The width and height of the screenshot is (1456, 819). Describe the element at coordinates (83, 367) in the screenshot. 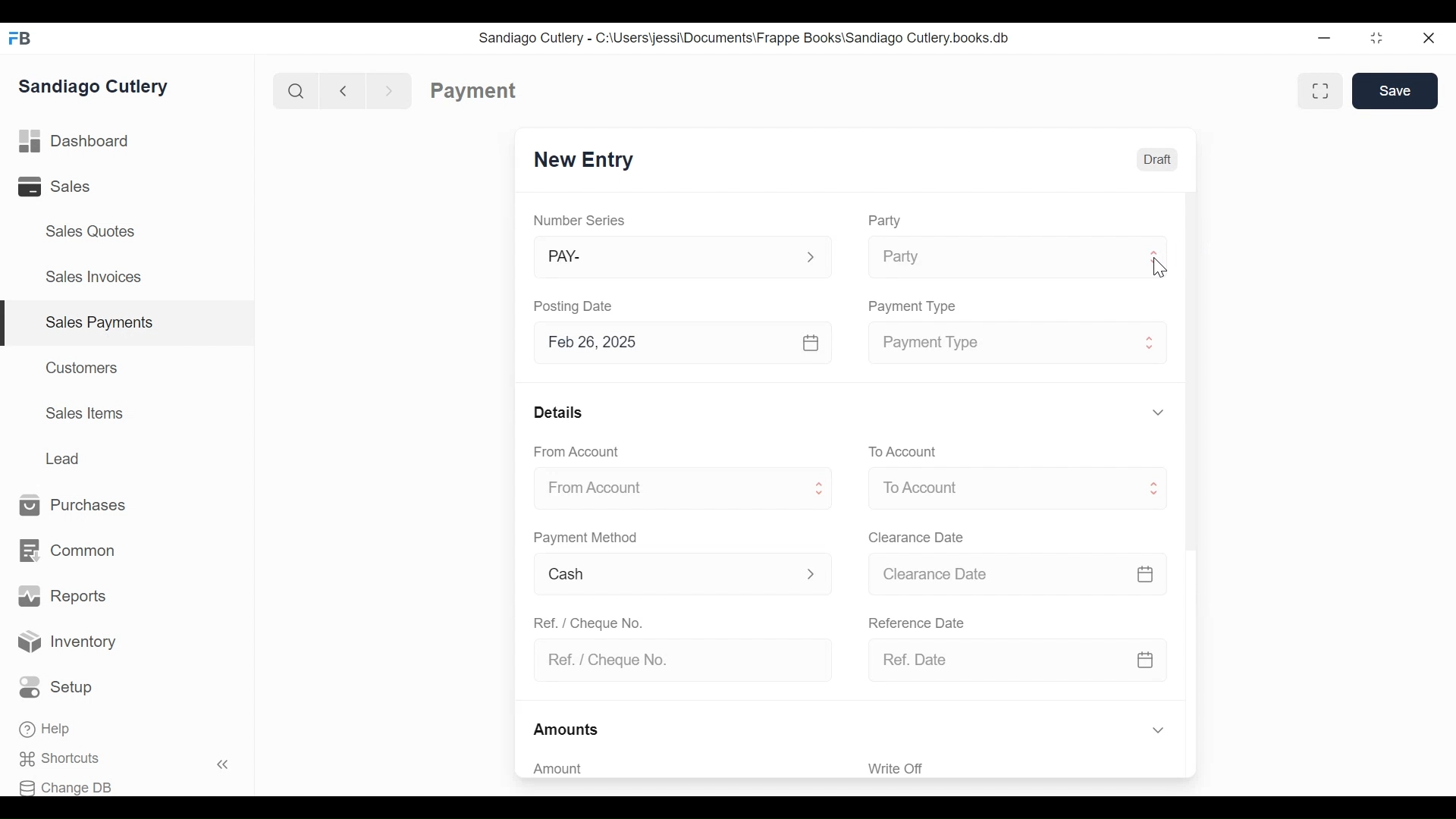

I see `Customers` at that location.